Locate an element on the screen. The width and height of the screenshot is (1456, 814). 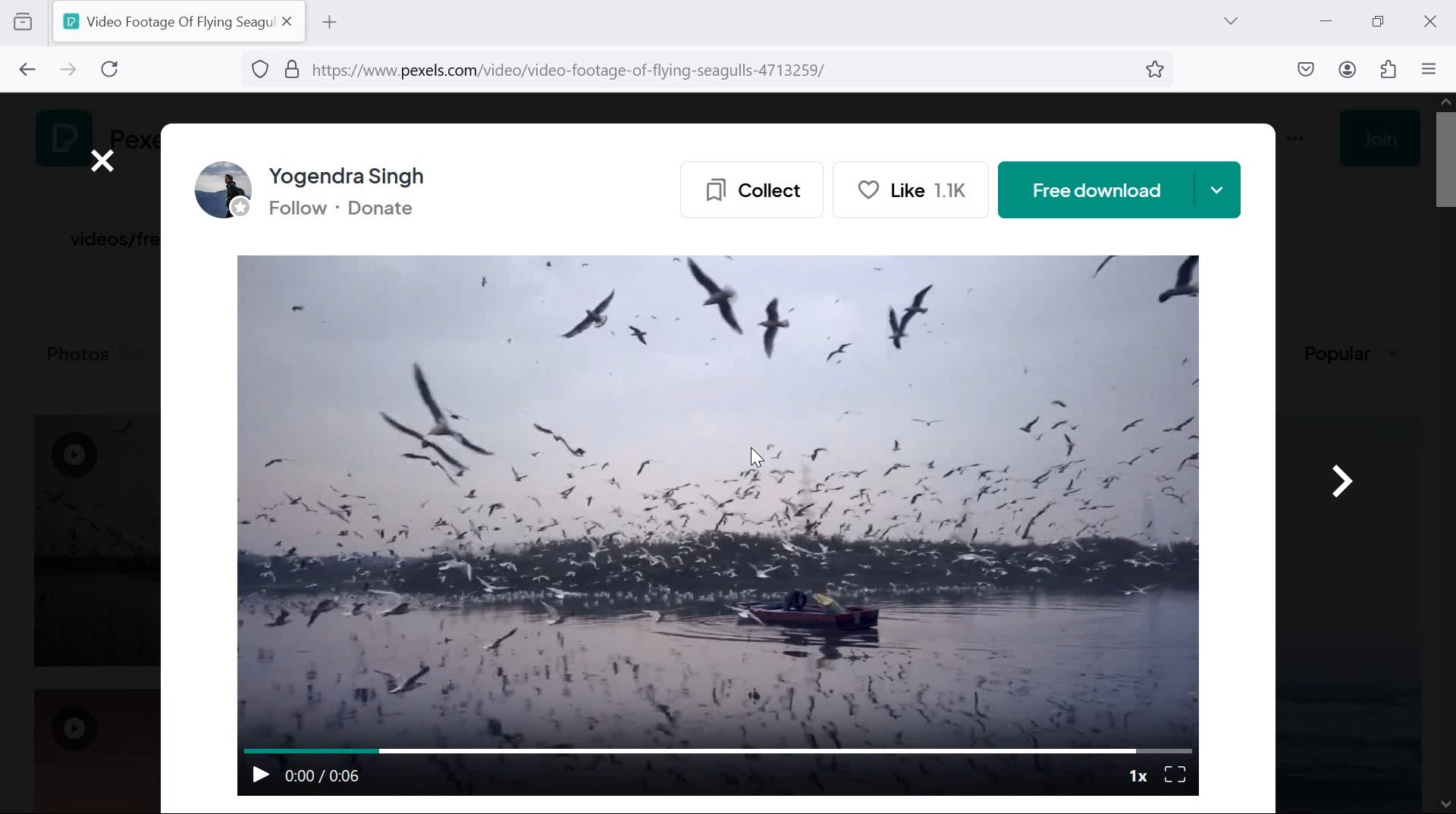
downloads is located at coordinates (1307, 67).